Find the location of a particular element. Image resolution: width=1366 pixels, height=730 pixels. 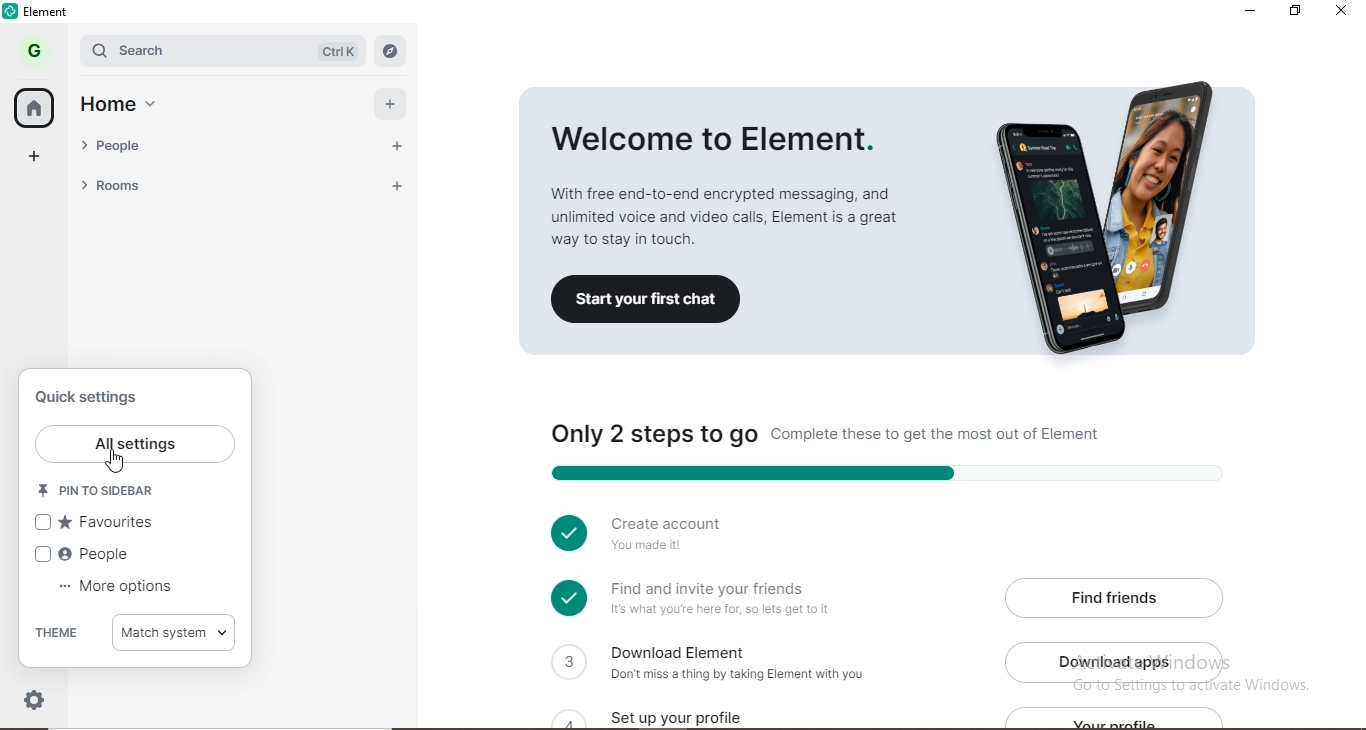

3 is located at coordinates (567, 660).